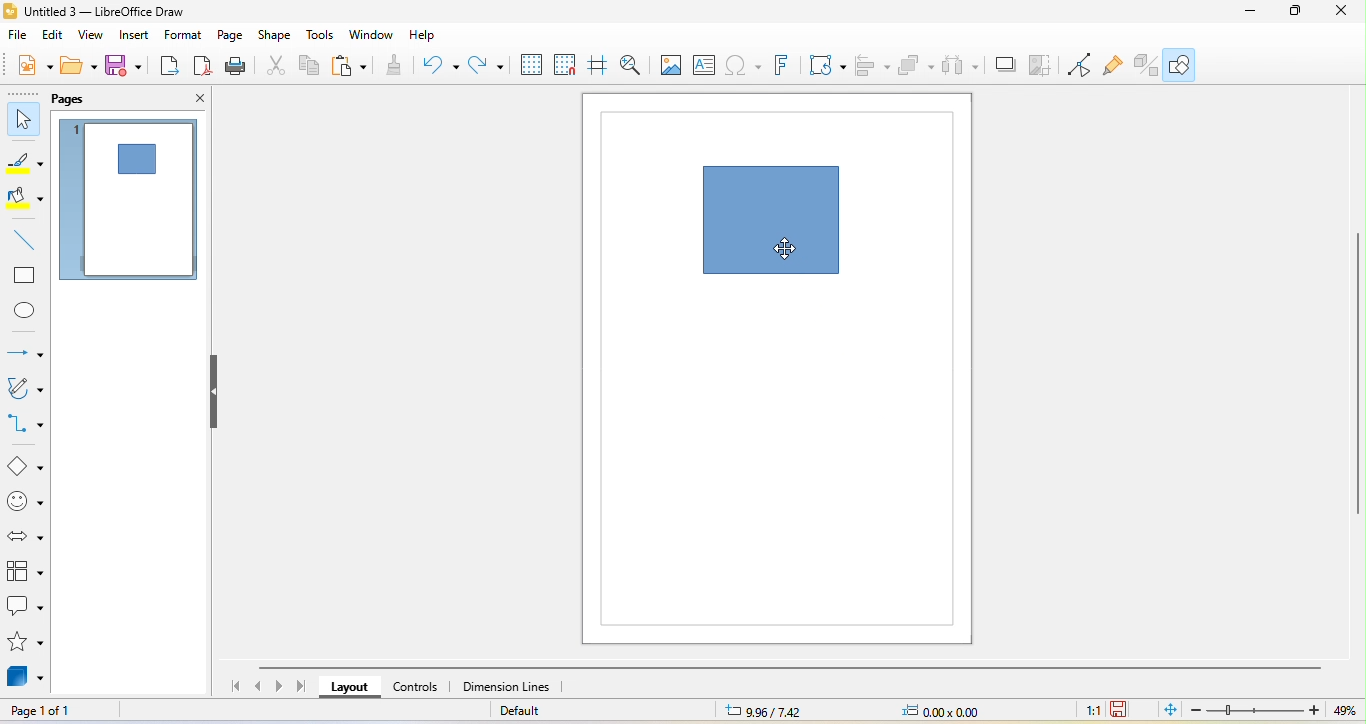  Describe the element at coordinates (960, 65) in the screenshot. I see `select at least three object to distribute` at that location.